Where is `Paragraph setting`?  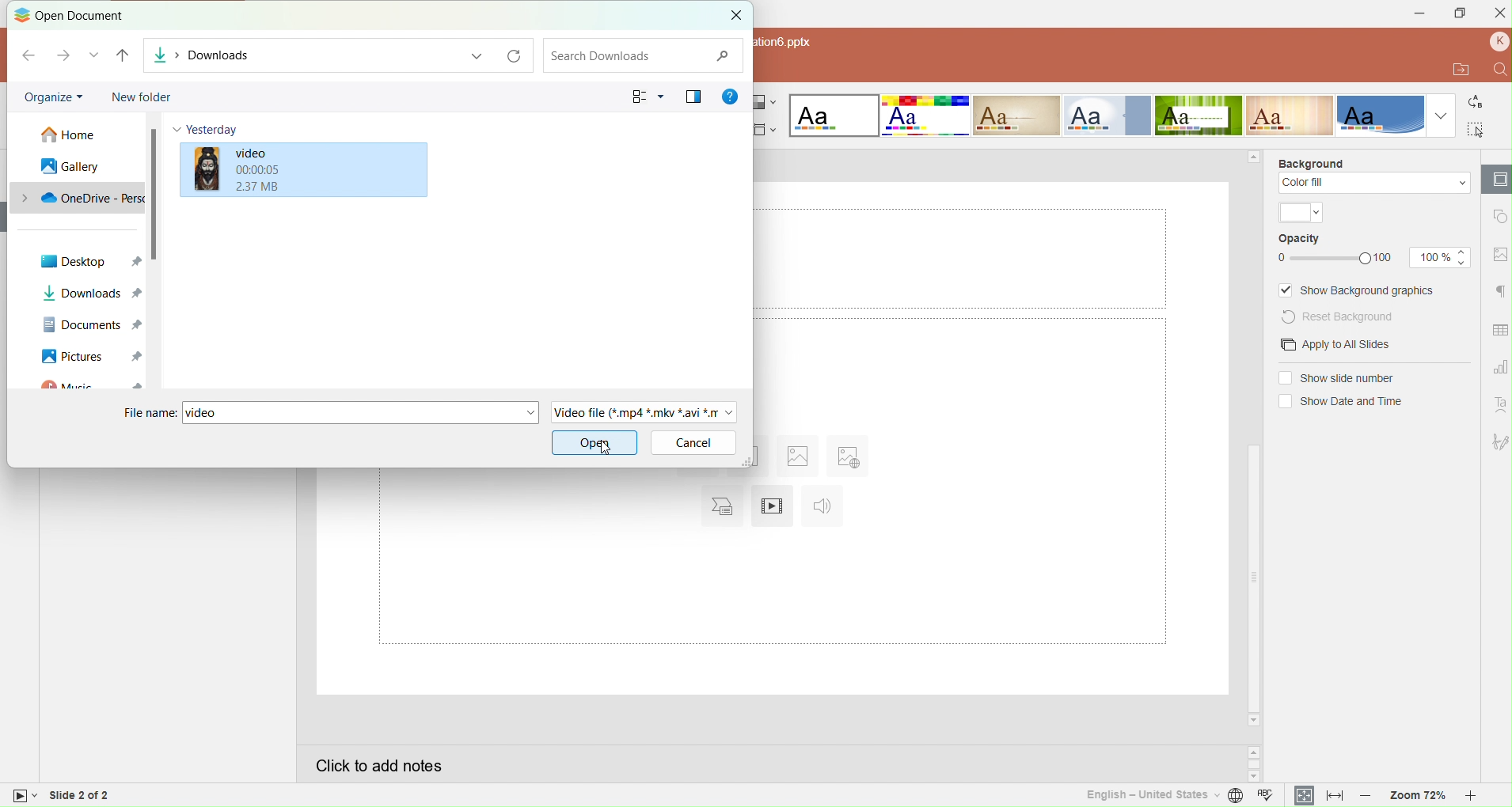
Paragraph setting is located at coordinates (1498, 292).